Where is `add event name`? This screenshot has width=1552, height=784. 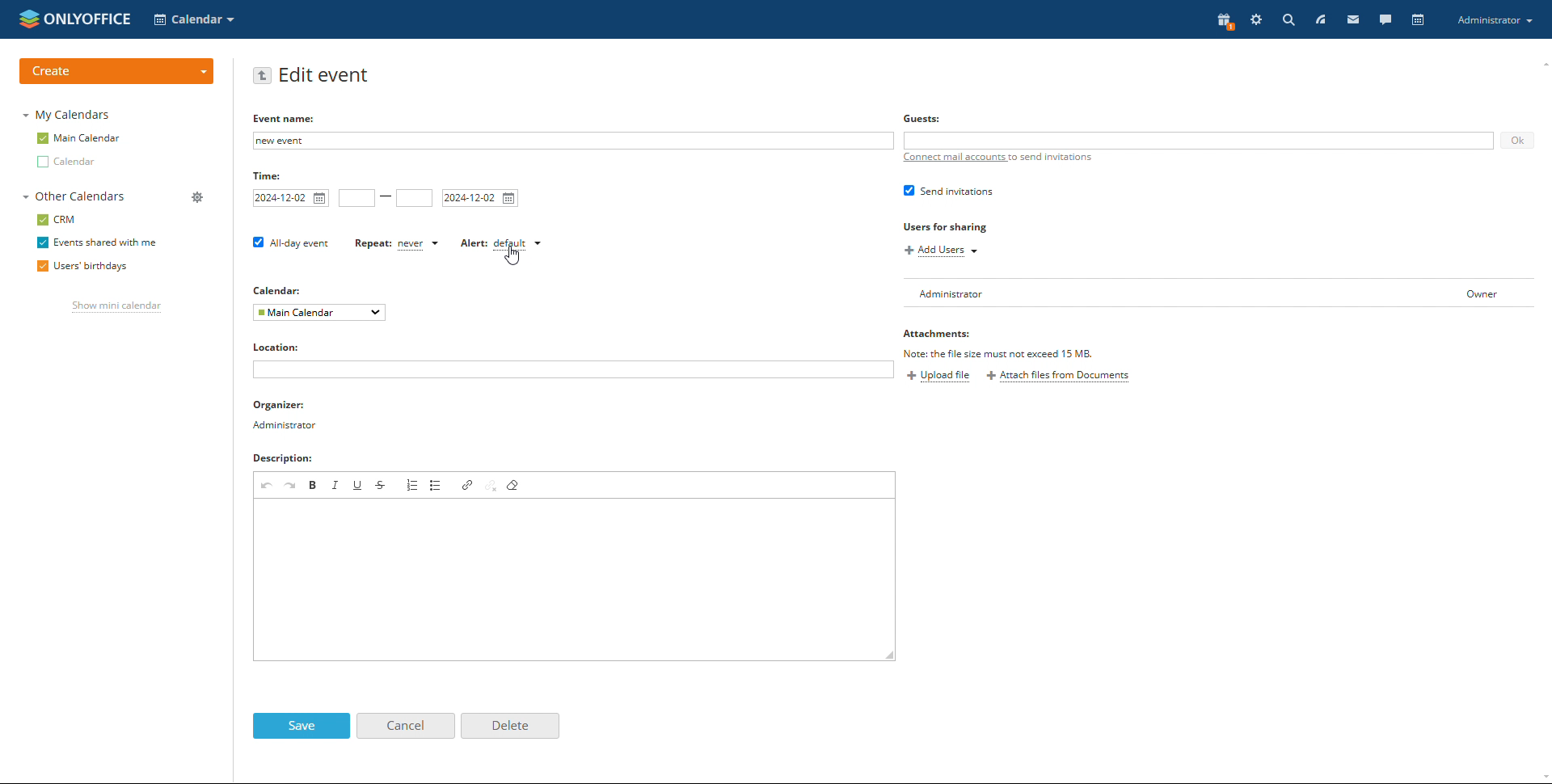 add event name is located at coordinates (574, 141).